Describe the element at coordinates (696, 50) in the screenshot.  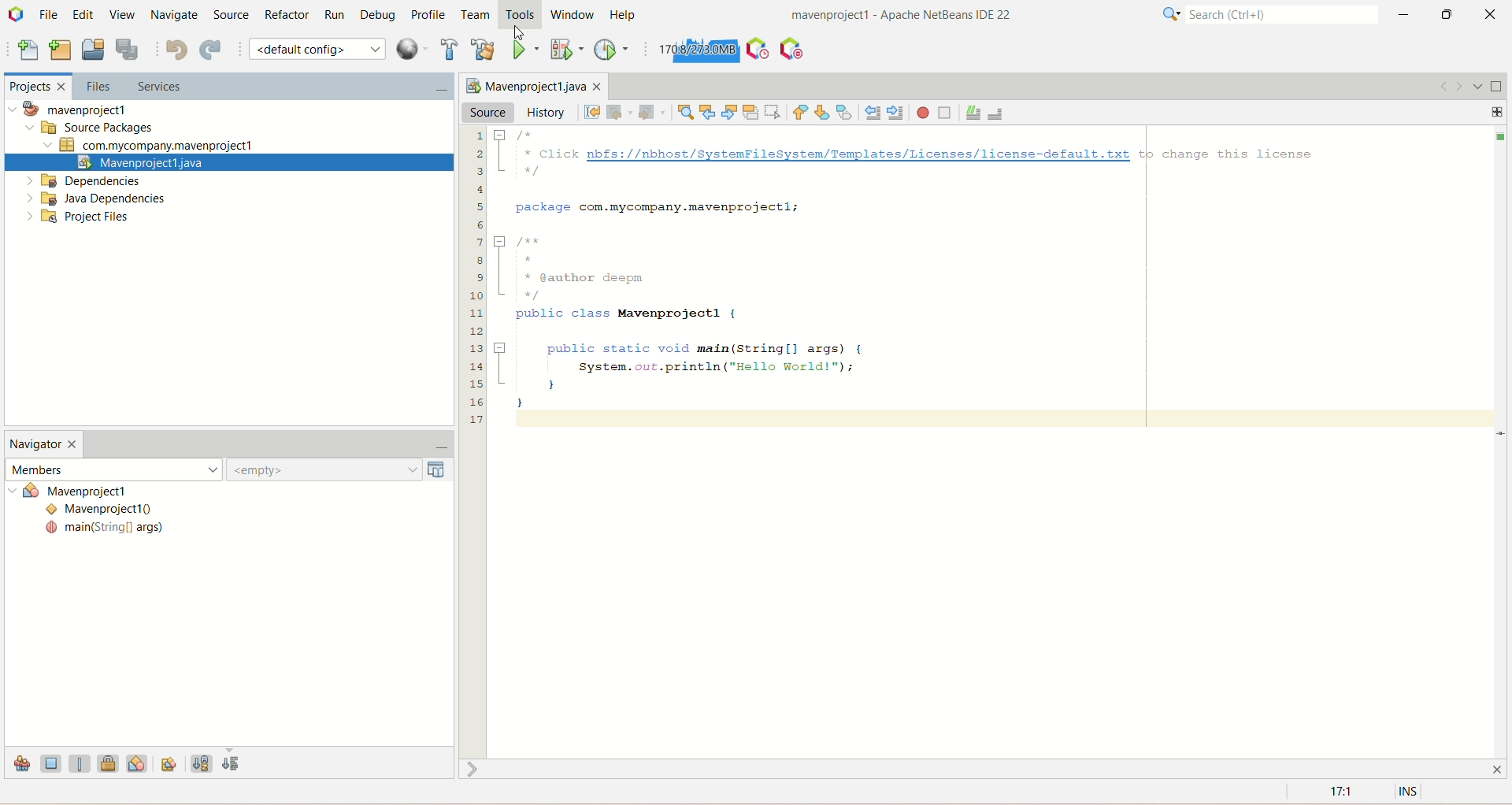
I see `force garbage collection` at that location.